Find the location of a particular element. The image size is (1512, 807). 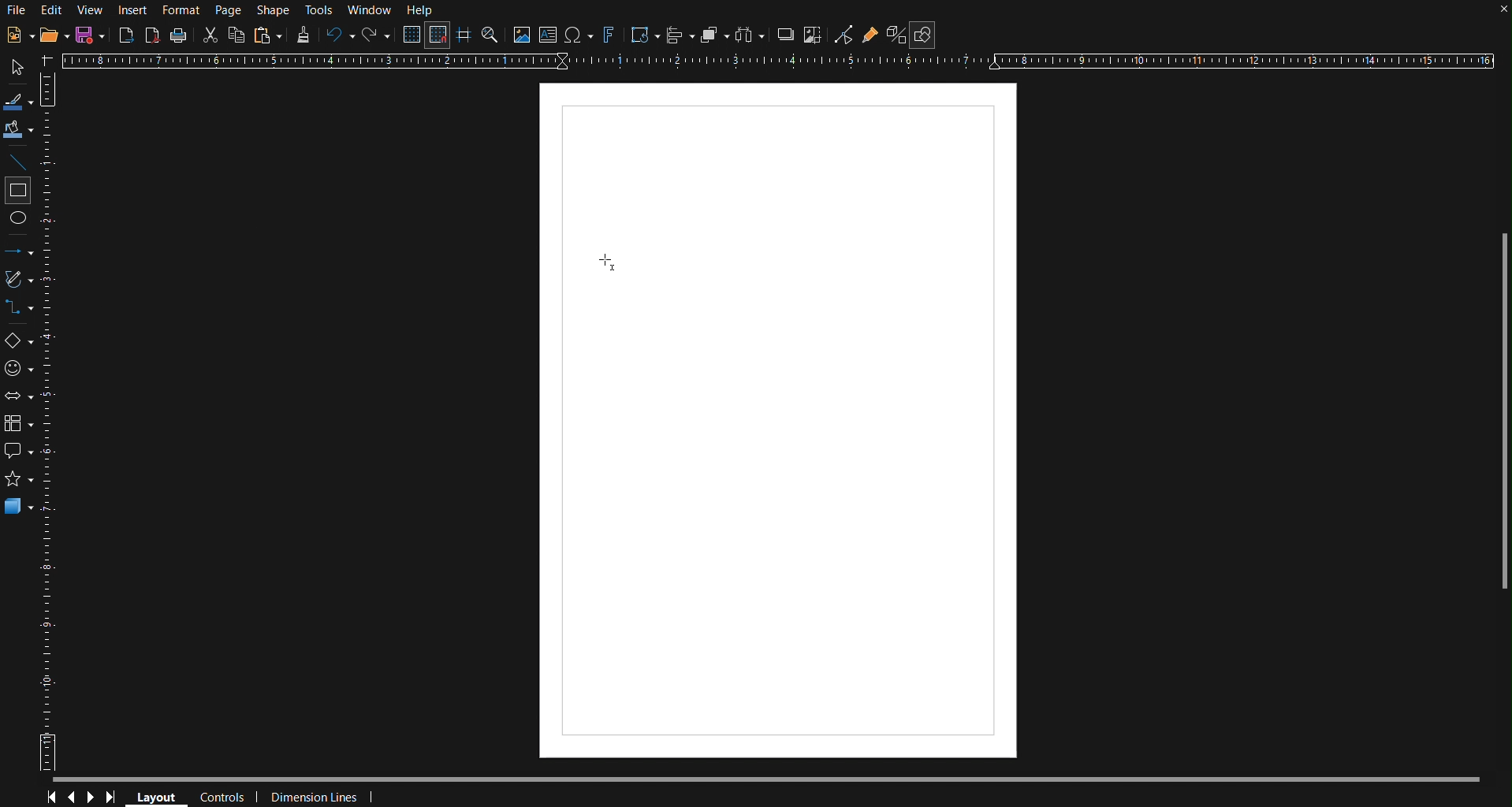

Align Objects is located at coordinates (680, 35).